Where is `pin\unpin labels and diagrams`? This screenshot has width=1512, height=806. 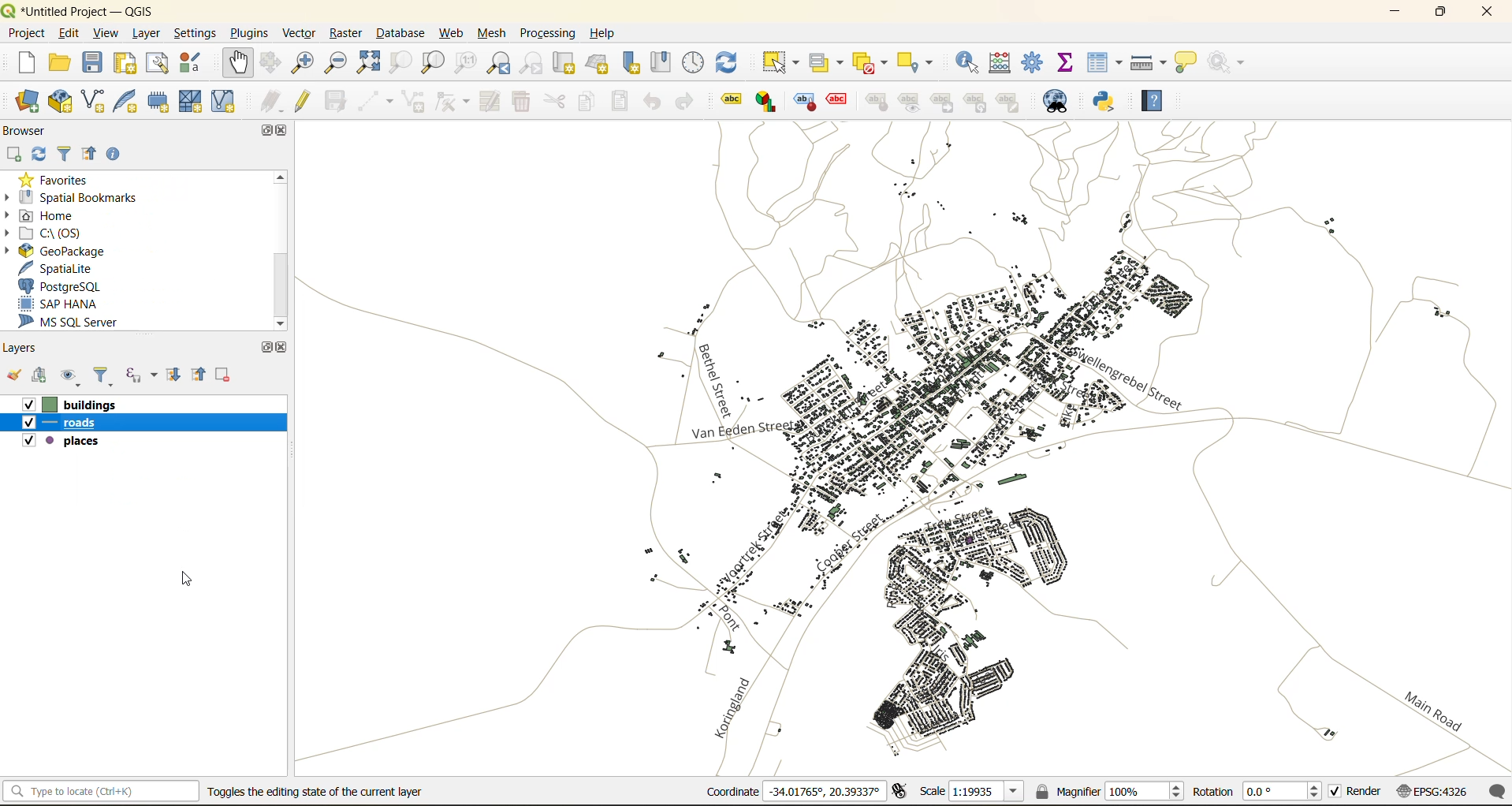 pin\unpin labels and diagrams is located at coordinates (876, 102).